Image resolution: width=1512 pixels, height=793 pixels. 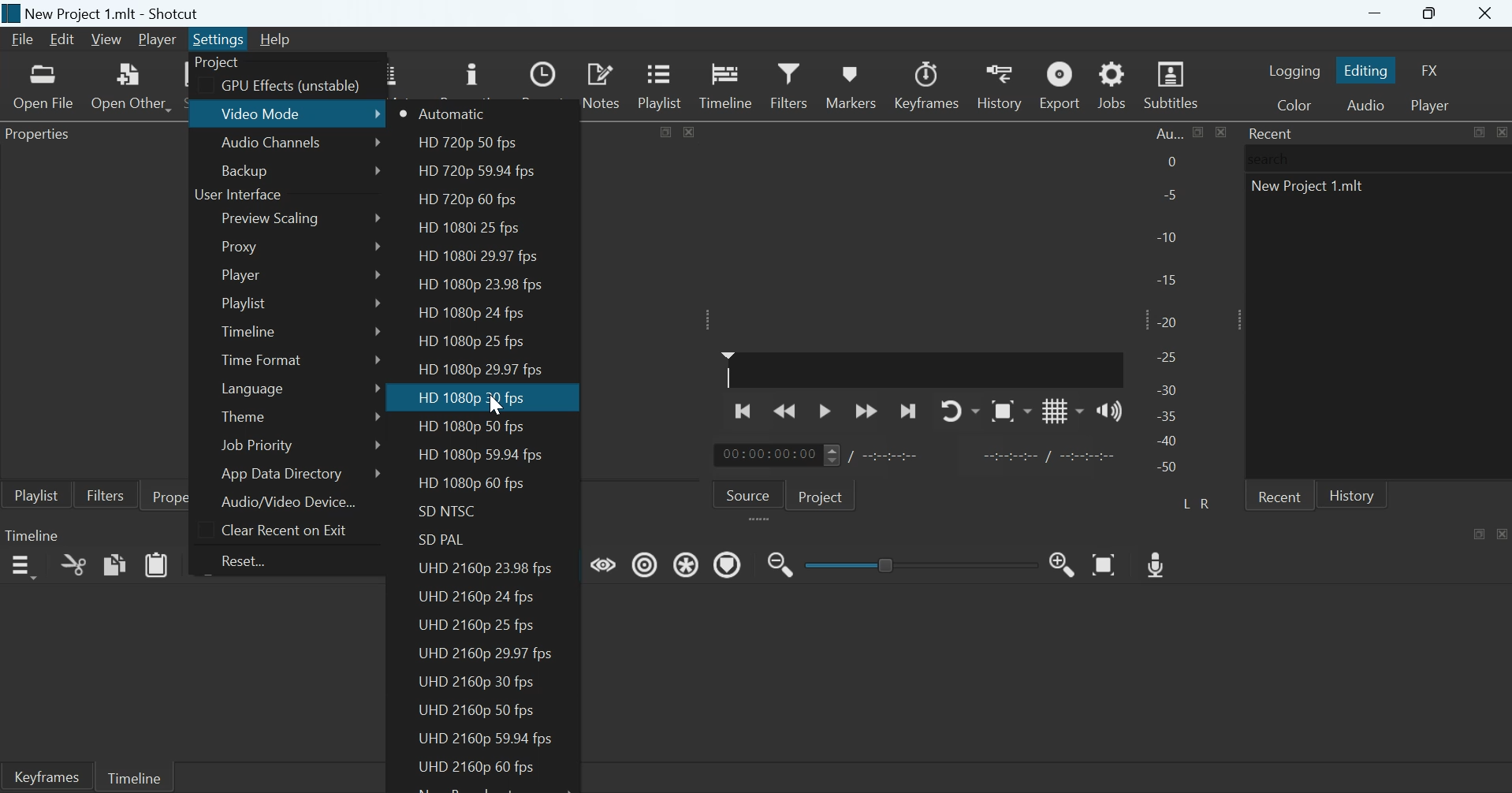 I want to click on Maximize, so click(x=1480, y=533).